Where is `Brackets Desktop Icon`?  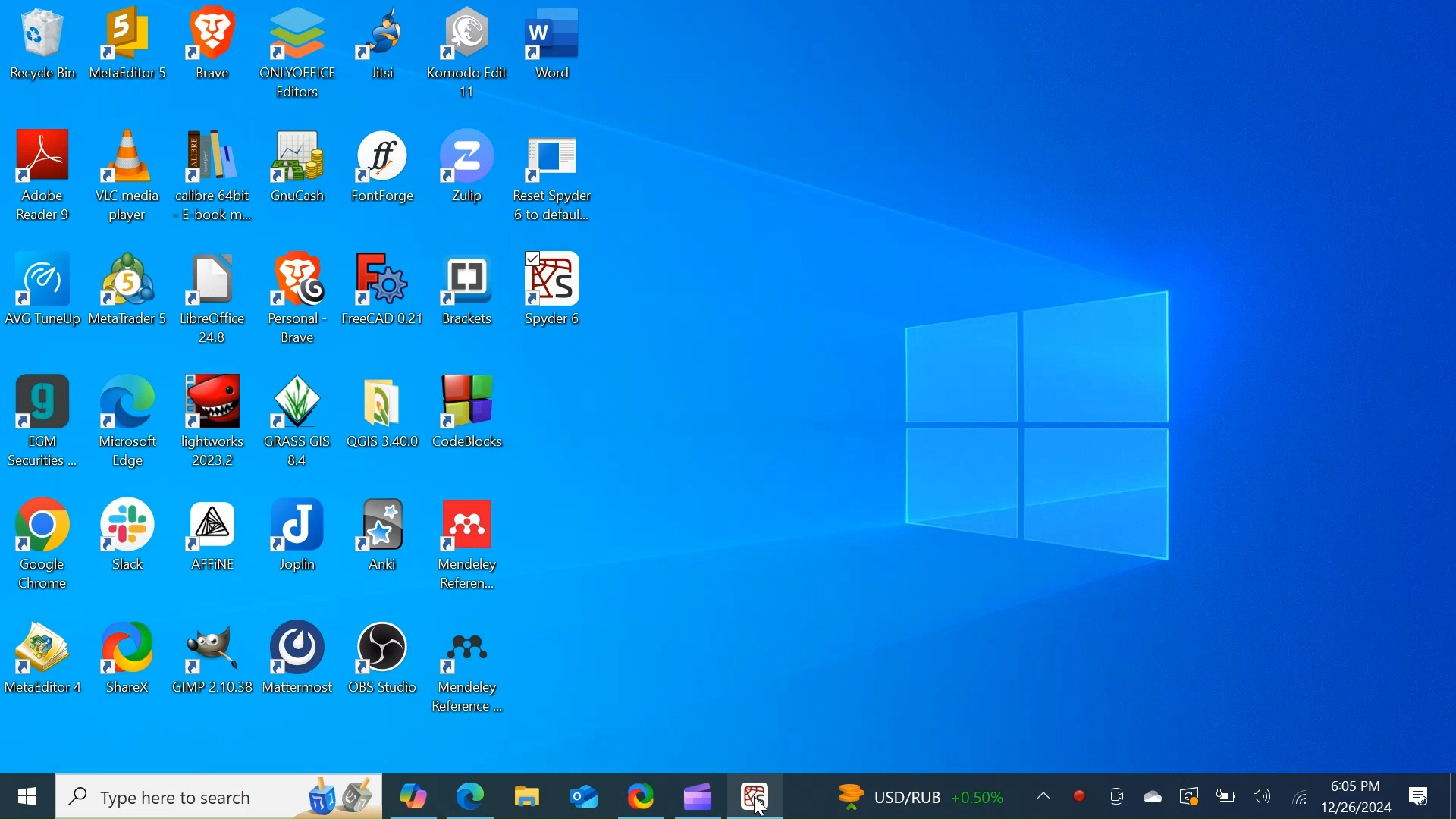 Brackets Desktop Icon is located at coordinates (467, 301).